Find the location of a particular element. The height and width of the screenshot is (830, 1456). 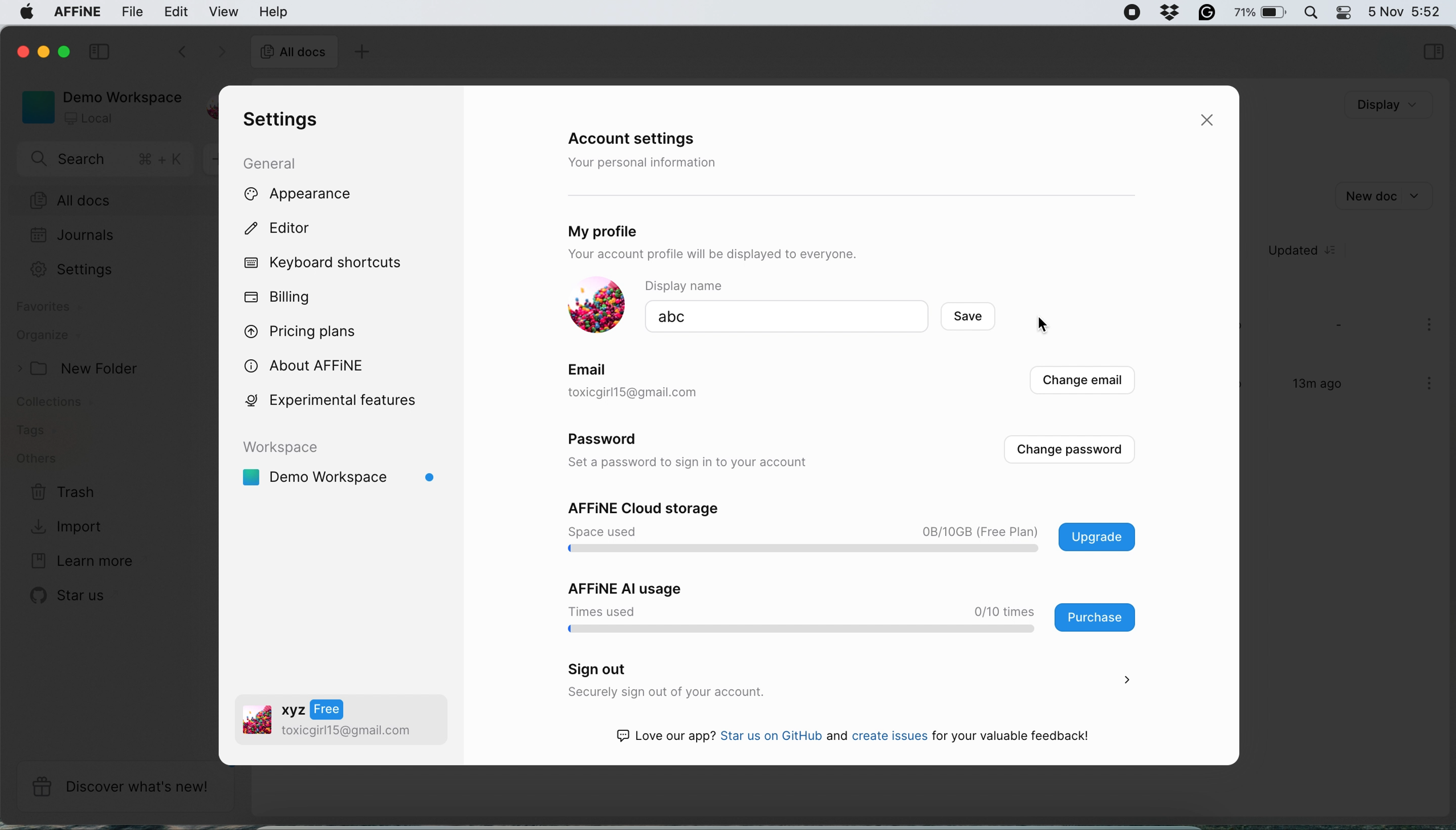

appearance is located at coordinates (317, 195).